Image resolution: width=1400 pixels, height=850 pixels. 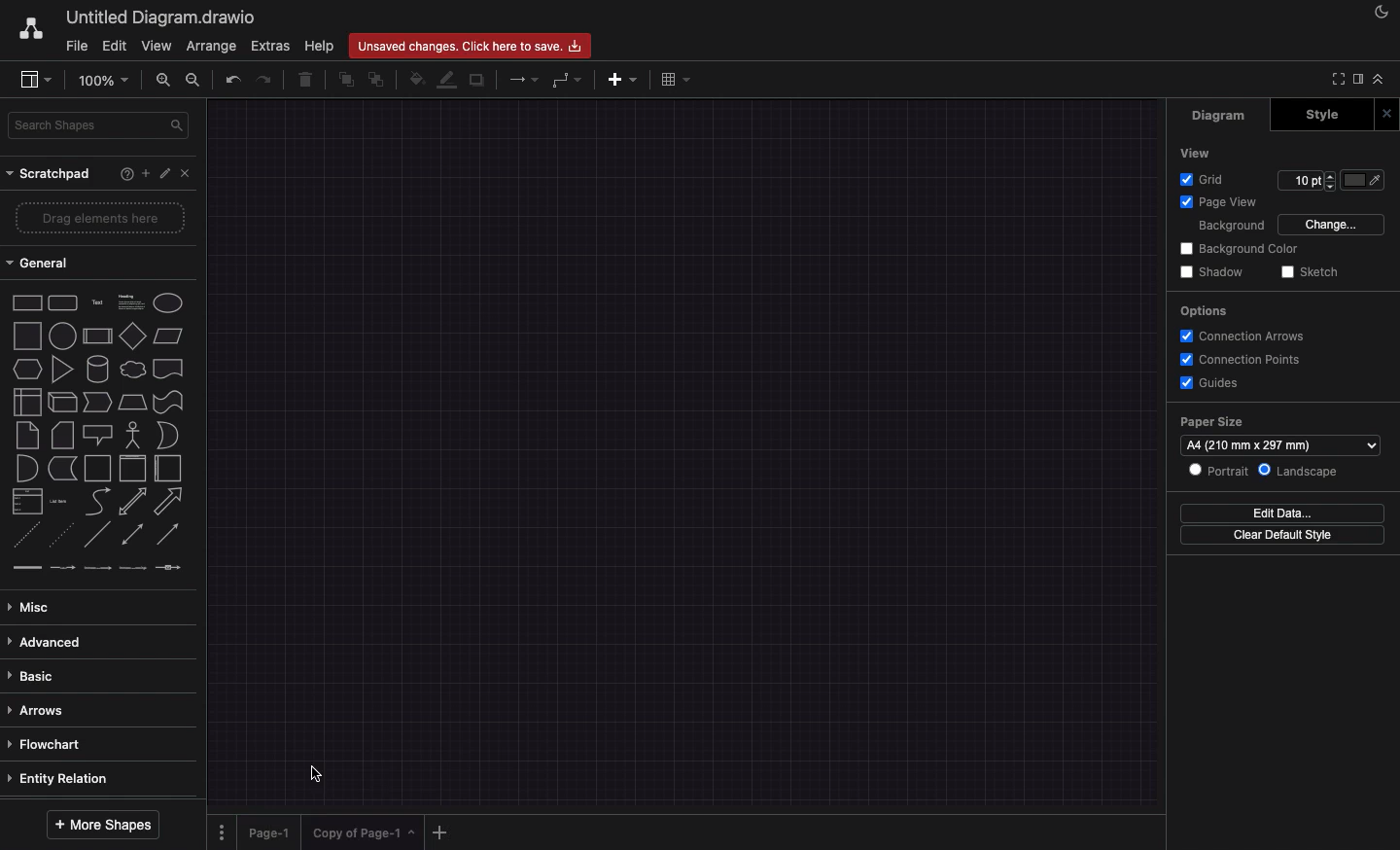 What do you see at coordinates (104, 82) in the screenshot?
I see `100%` at bounding box center [104, 82].